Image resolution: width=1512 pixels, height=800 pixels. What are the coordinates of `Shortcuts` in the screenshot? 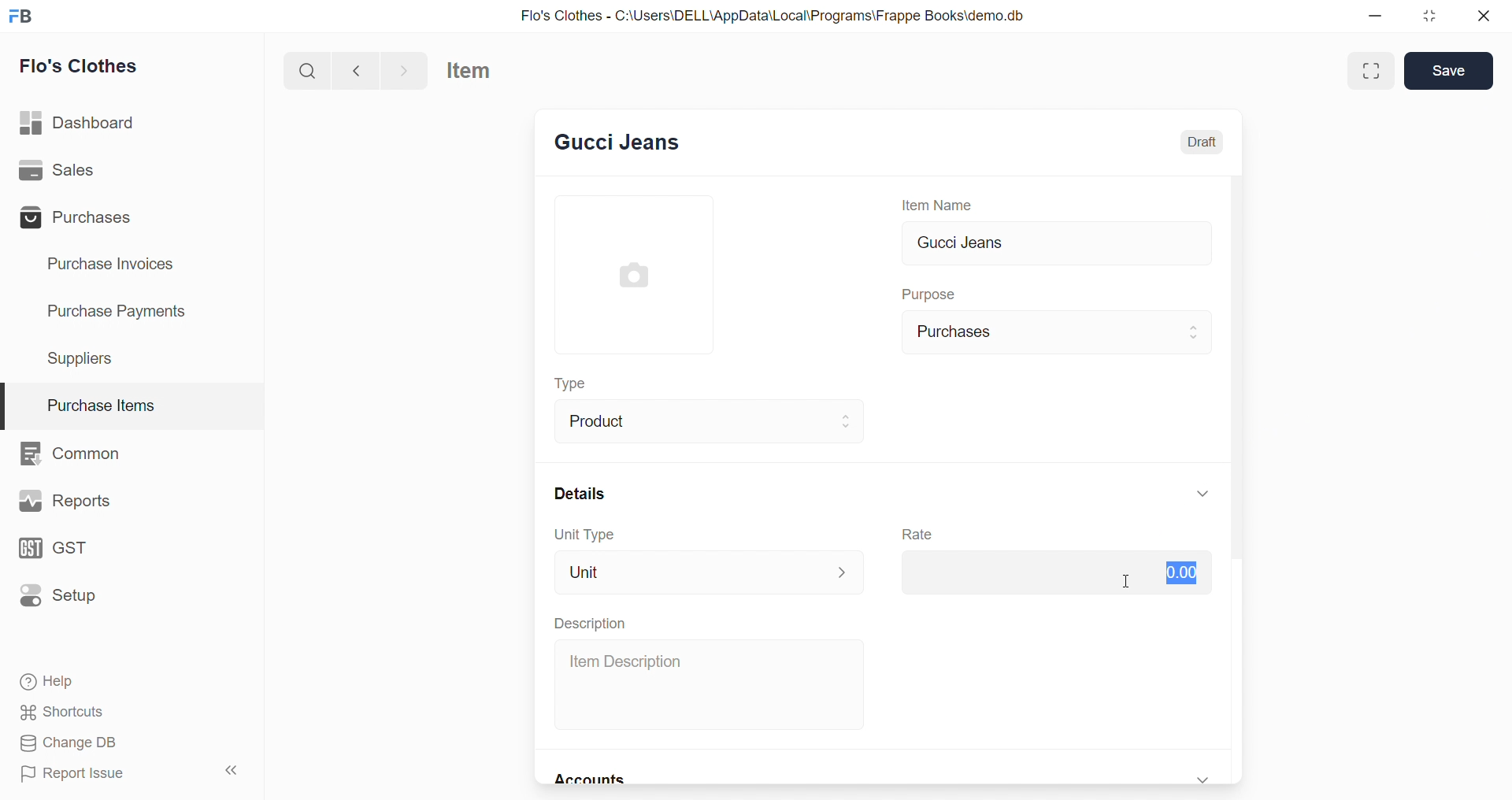 It's located at (127, 711).